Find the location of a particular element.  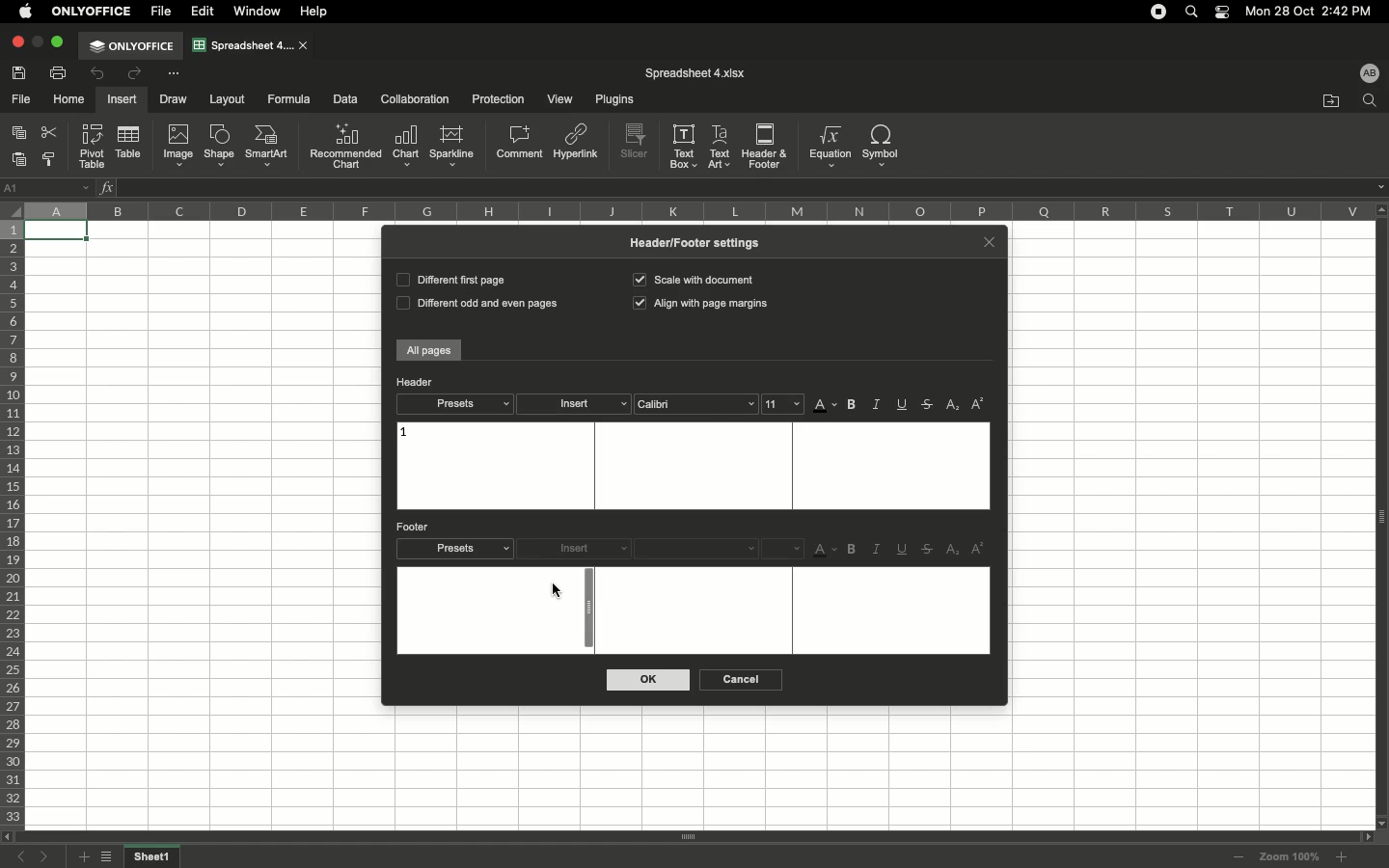

Align with page margins is located at coordinates (702, 305).